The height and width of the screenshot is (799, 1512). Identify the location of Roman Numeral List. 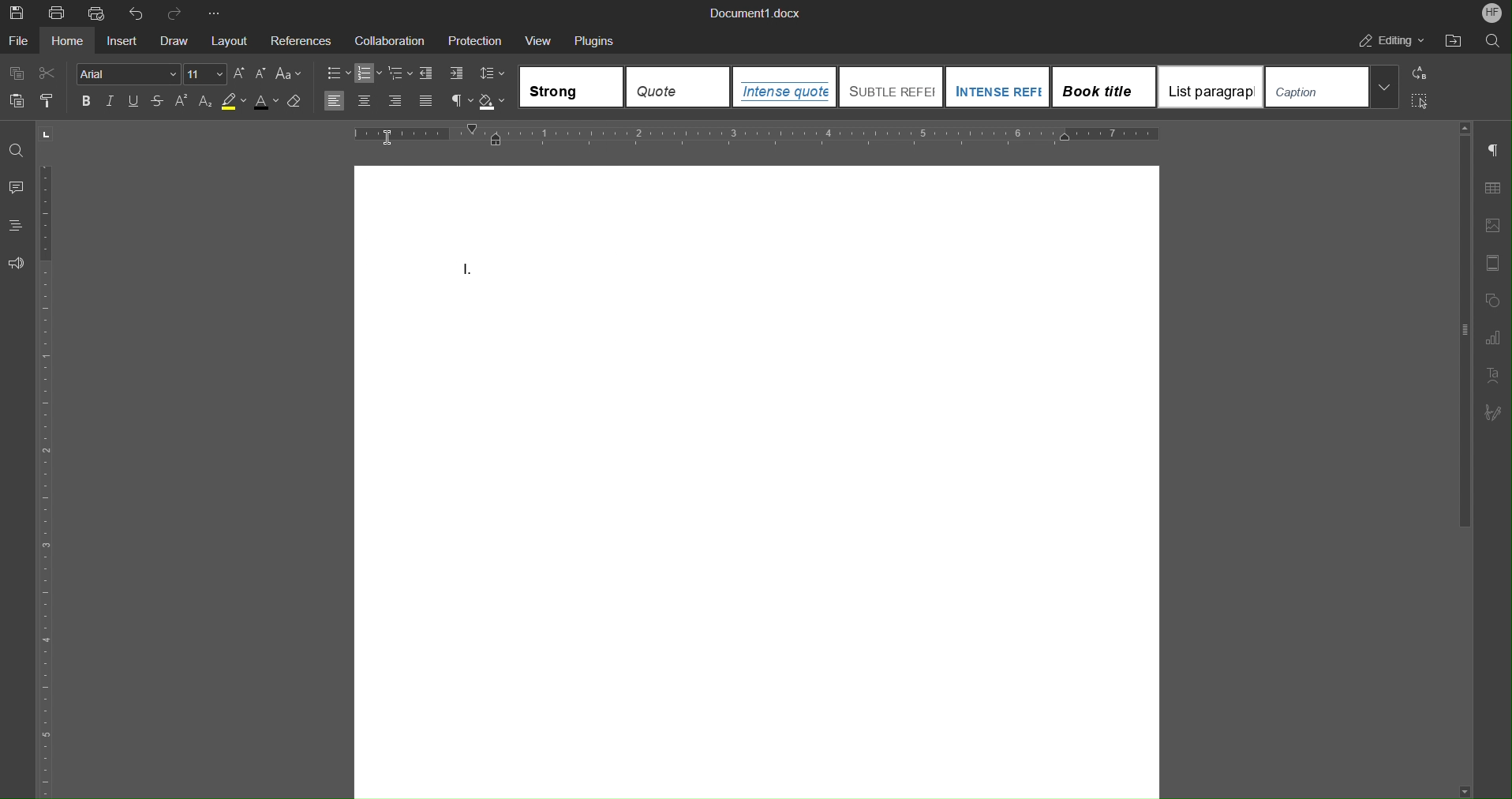
(470, 270).